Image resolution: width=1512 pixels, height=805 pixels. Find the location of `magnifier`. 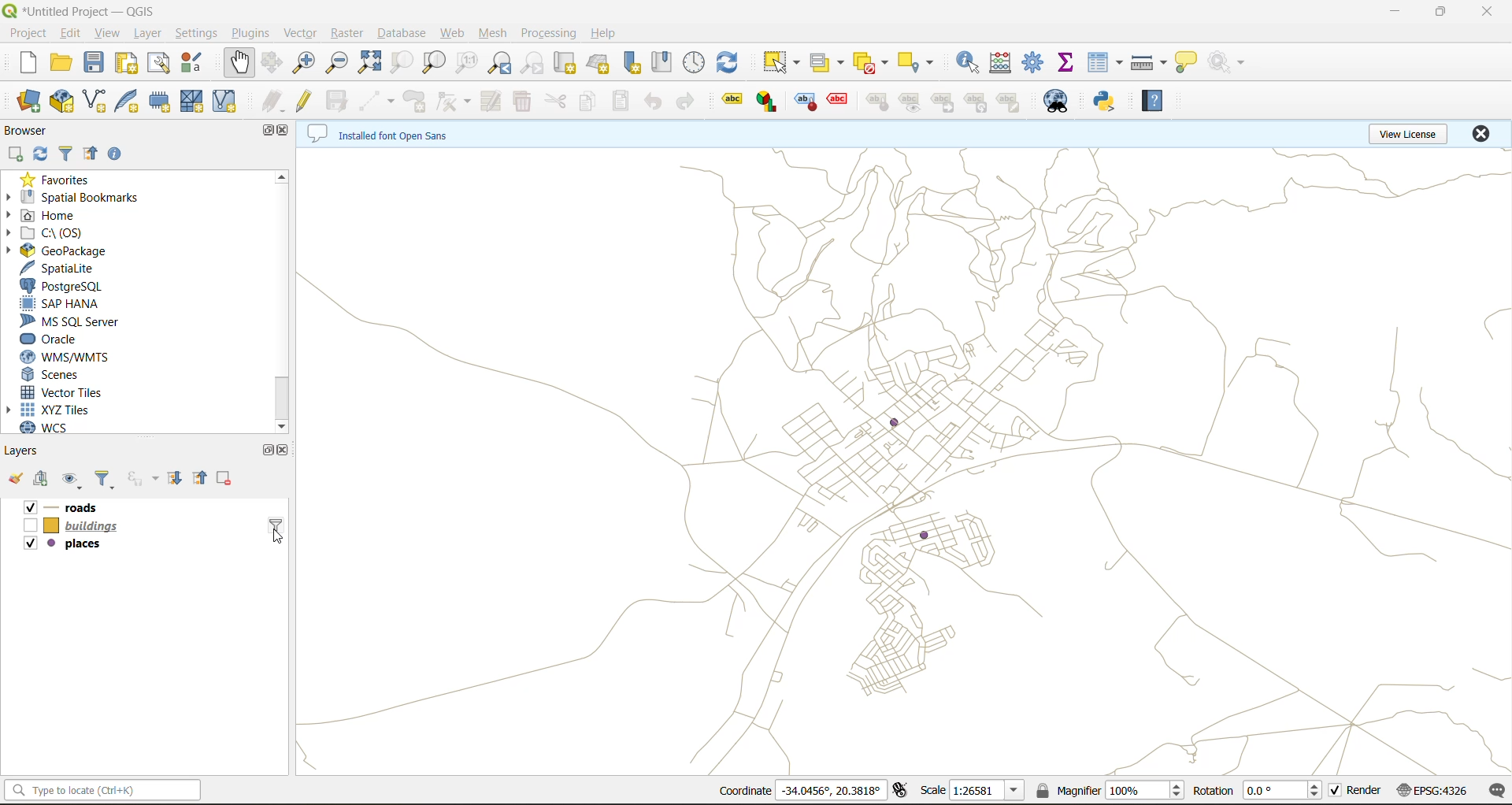

magnifier is located at coordinates (1113, 792).